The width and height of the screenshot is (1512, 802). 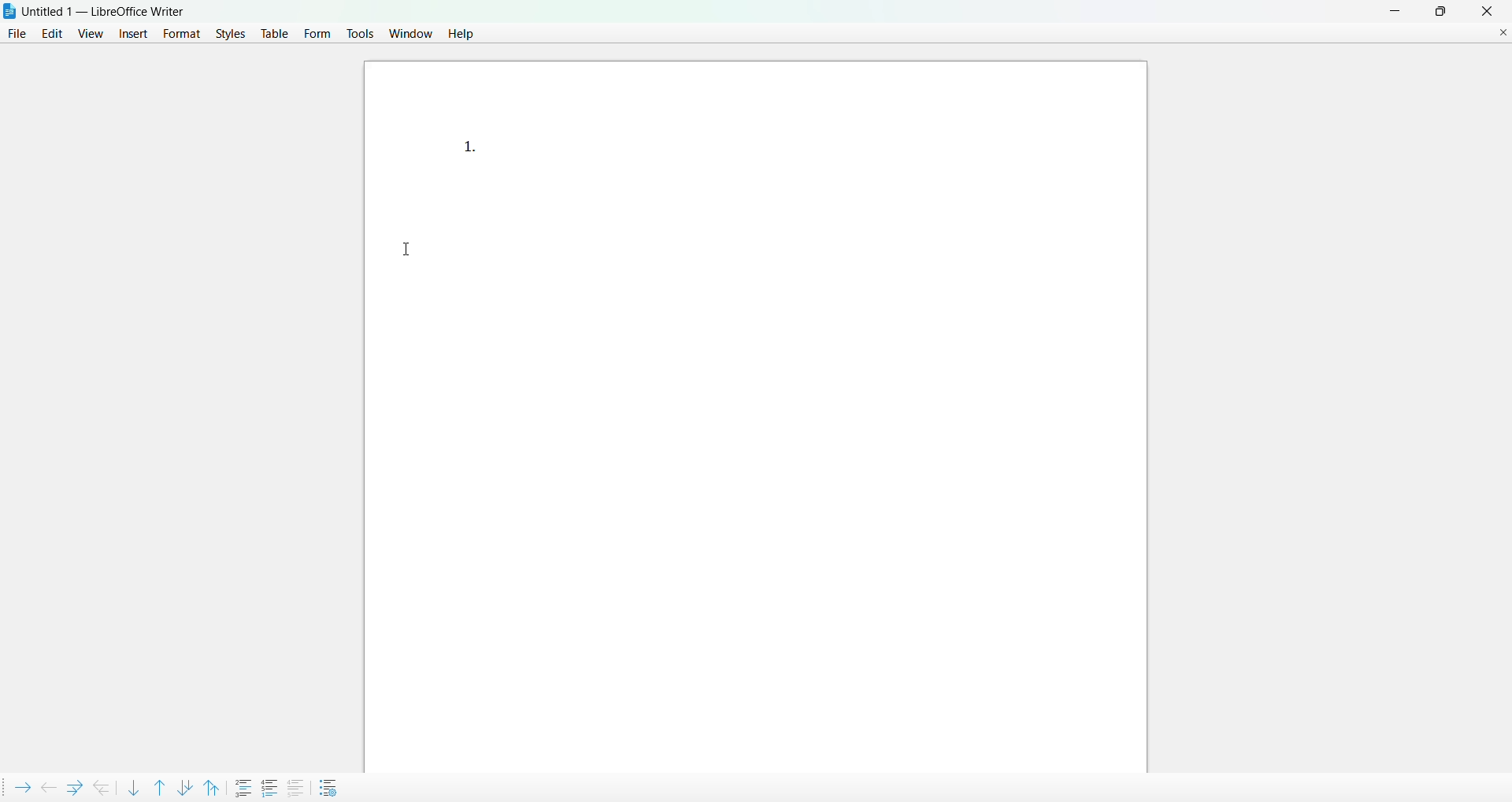 I want to click on view, so click(x=91, y=32).